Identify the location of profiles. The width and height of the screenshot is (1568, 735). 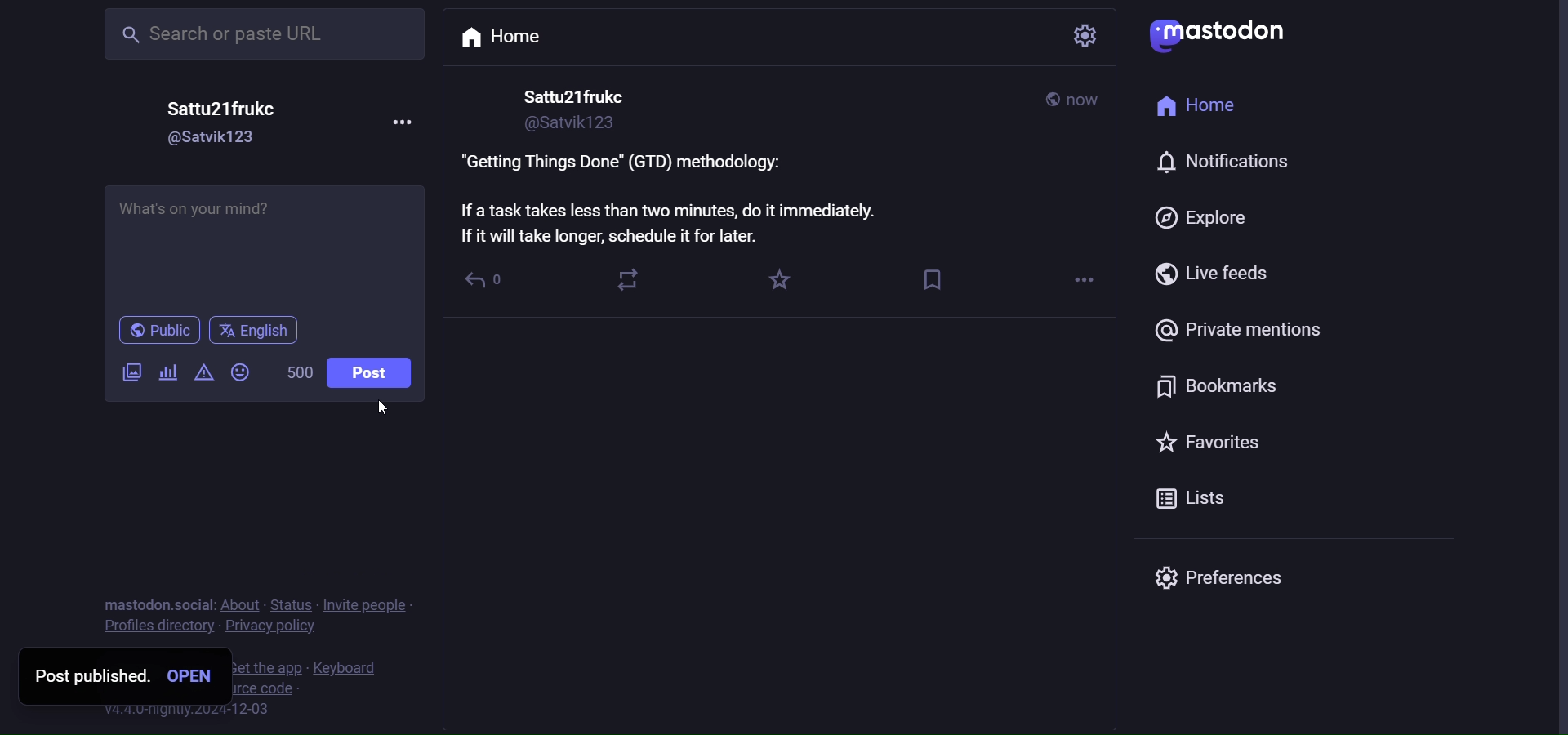
(159, 626).